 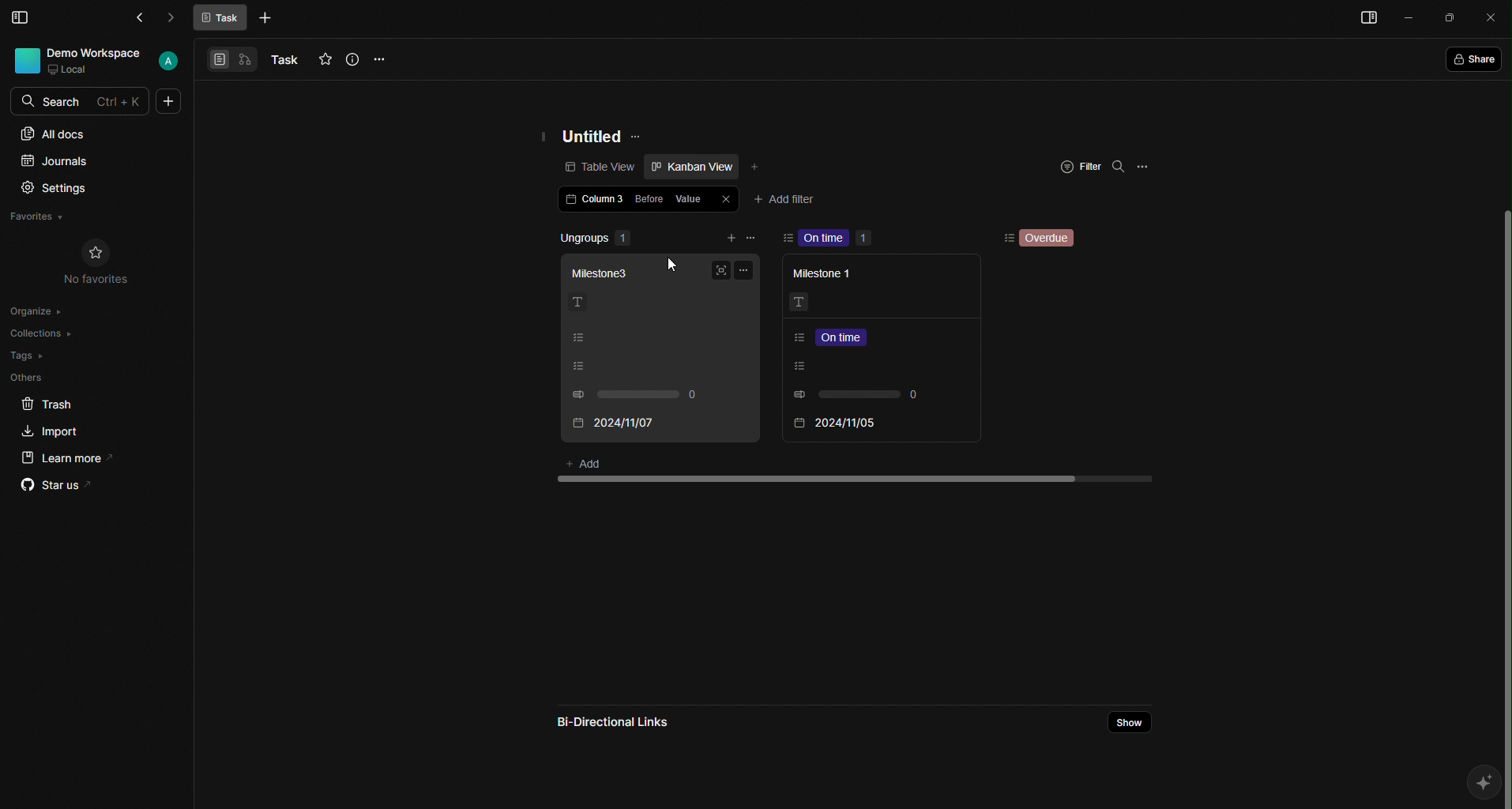 I want to click on Box, so click(x=1450, y=17).